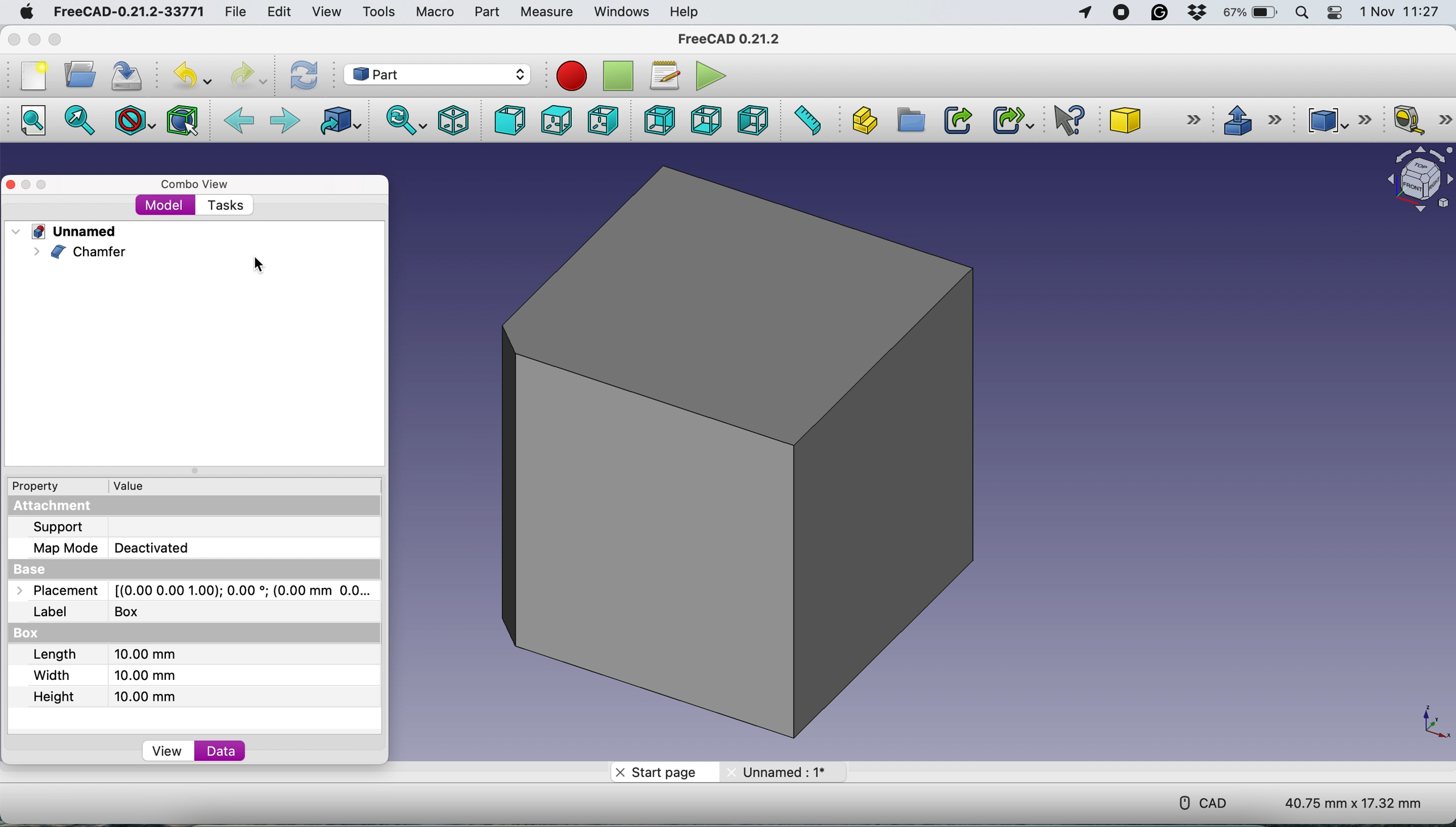 This screenshot has width=1456, height=827. Describe the element at coordinates (752, 457) in the screenshot. I see `rectangle with chamfer` at that location.